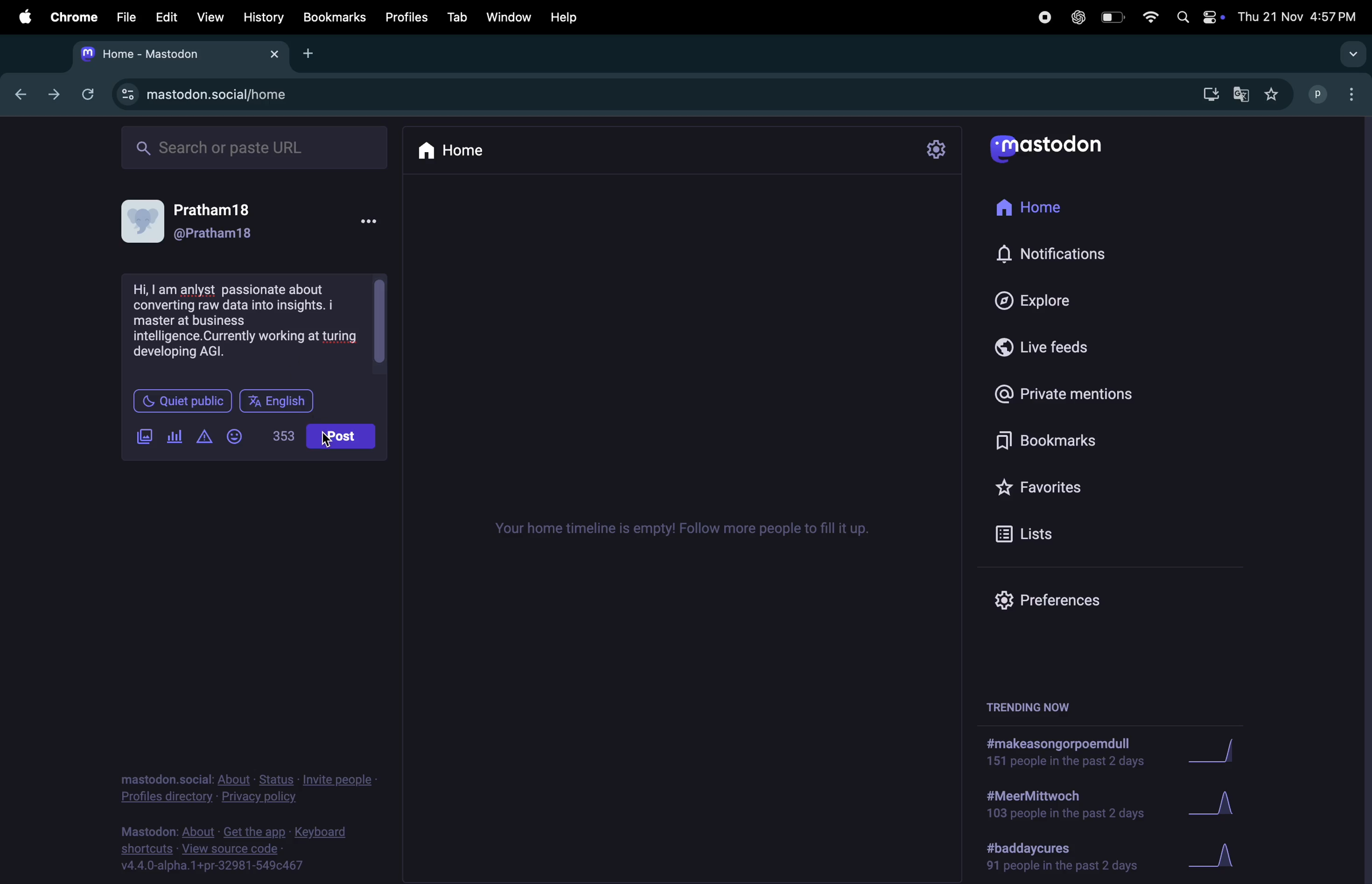  What do you see at coordinates (256, 148) in the screenshot?
I see `searchbar` at bounding box center [256, 148].